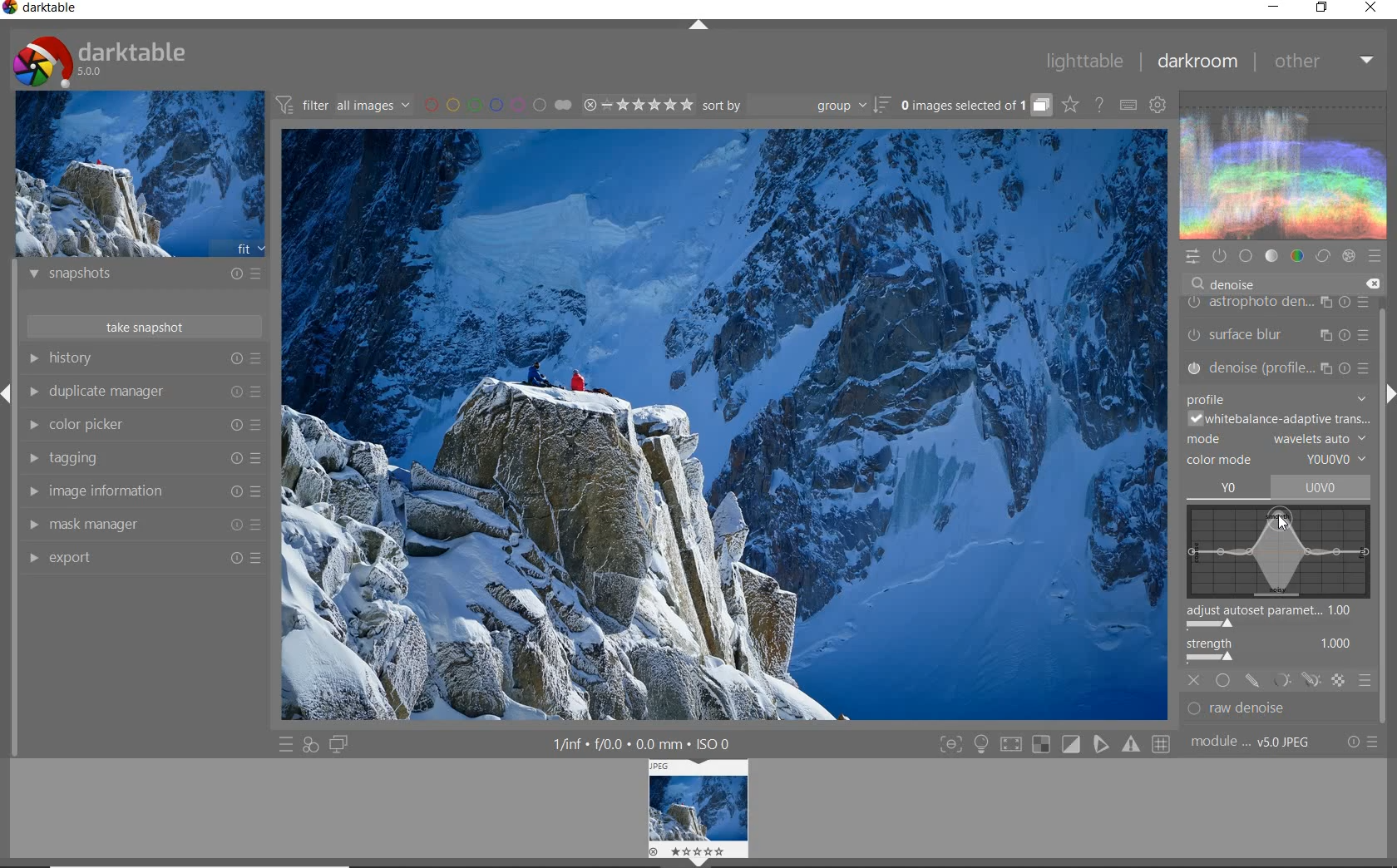 Image resolution: width=1397 pixels, height=868 pixels. I want to click on selected image, so click(720, 427).